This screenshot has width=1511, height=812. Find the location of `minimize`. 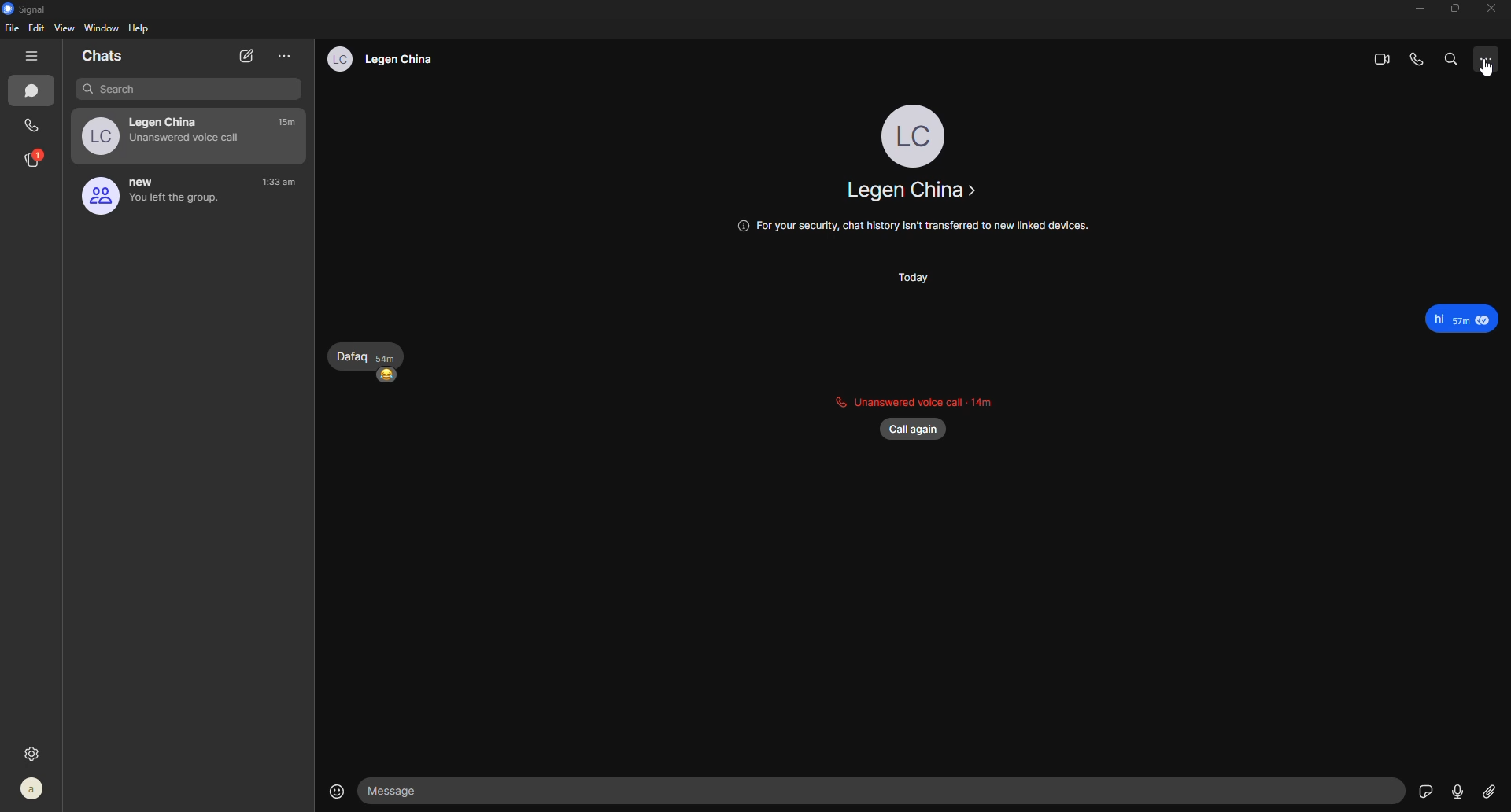

minimize is located at coordinates (1410, 9).